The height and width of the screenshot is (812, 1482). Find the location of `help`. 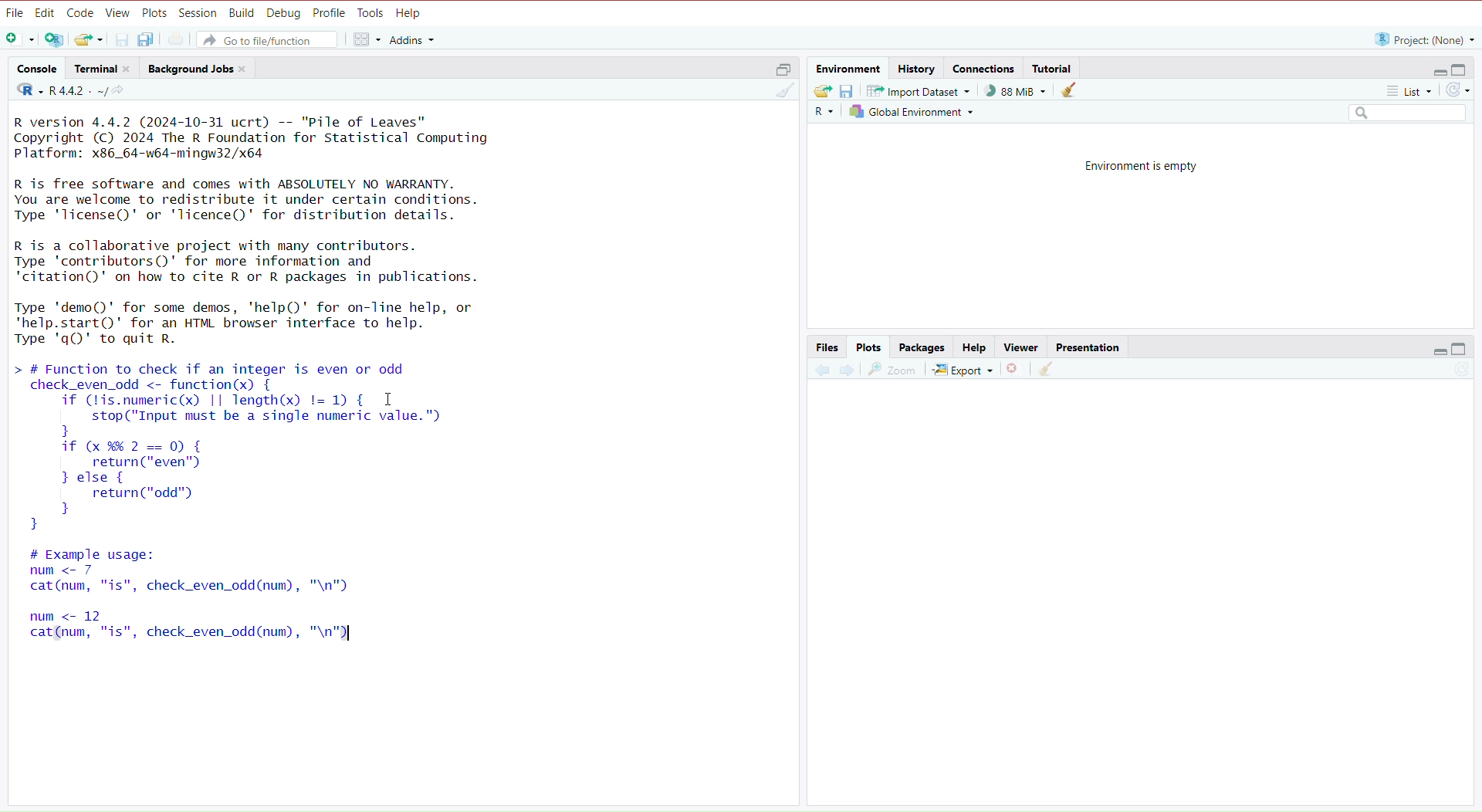

help is located at coordinates (972, 348).